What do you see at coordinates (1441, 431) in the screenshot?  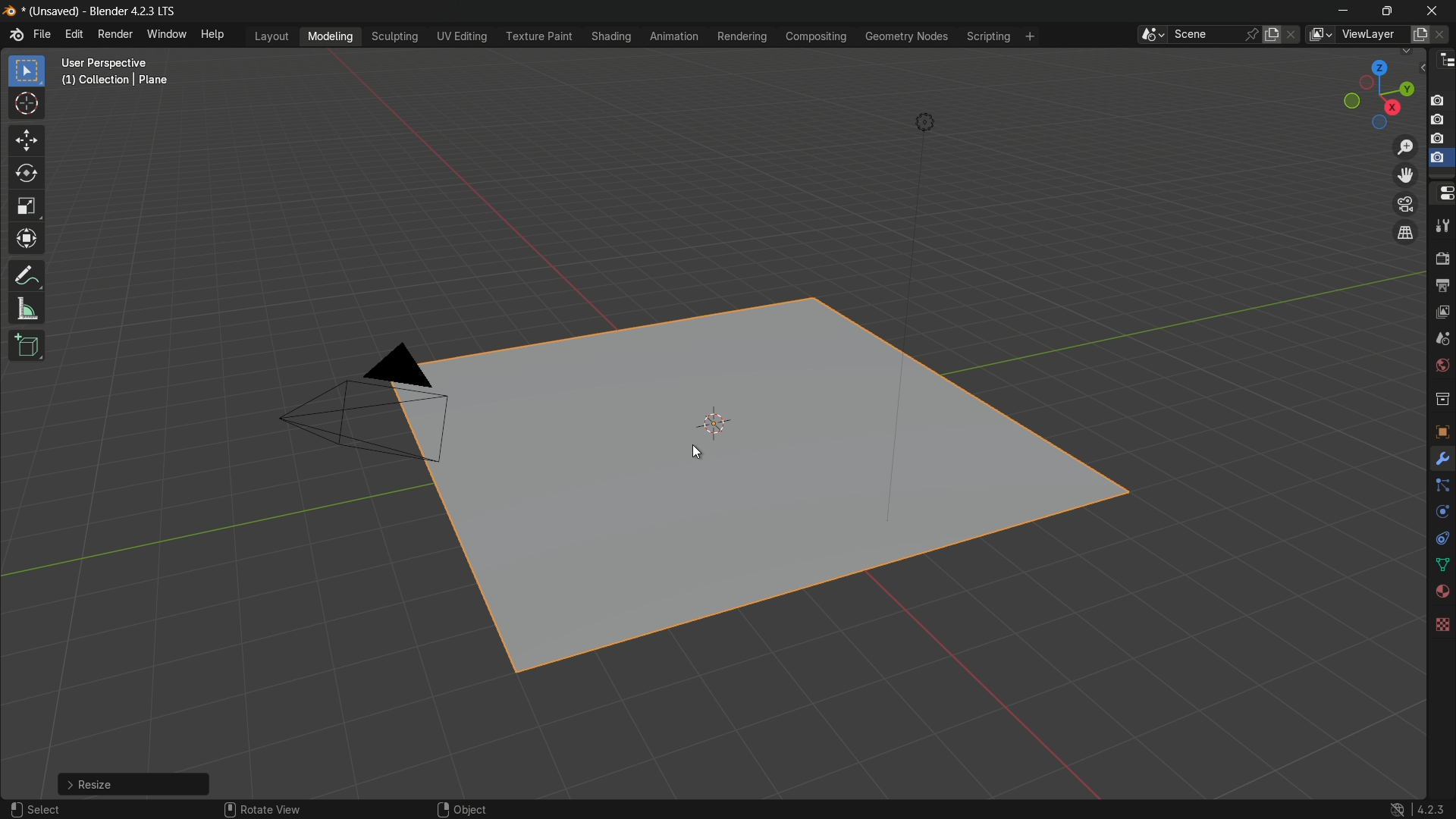 I see `object` at bounding box center [1441, 431].